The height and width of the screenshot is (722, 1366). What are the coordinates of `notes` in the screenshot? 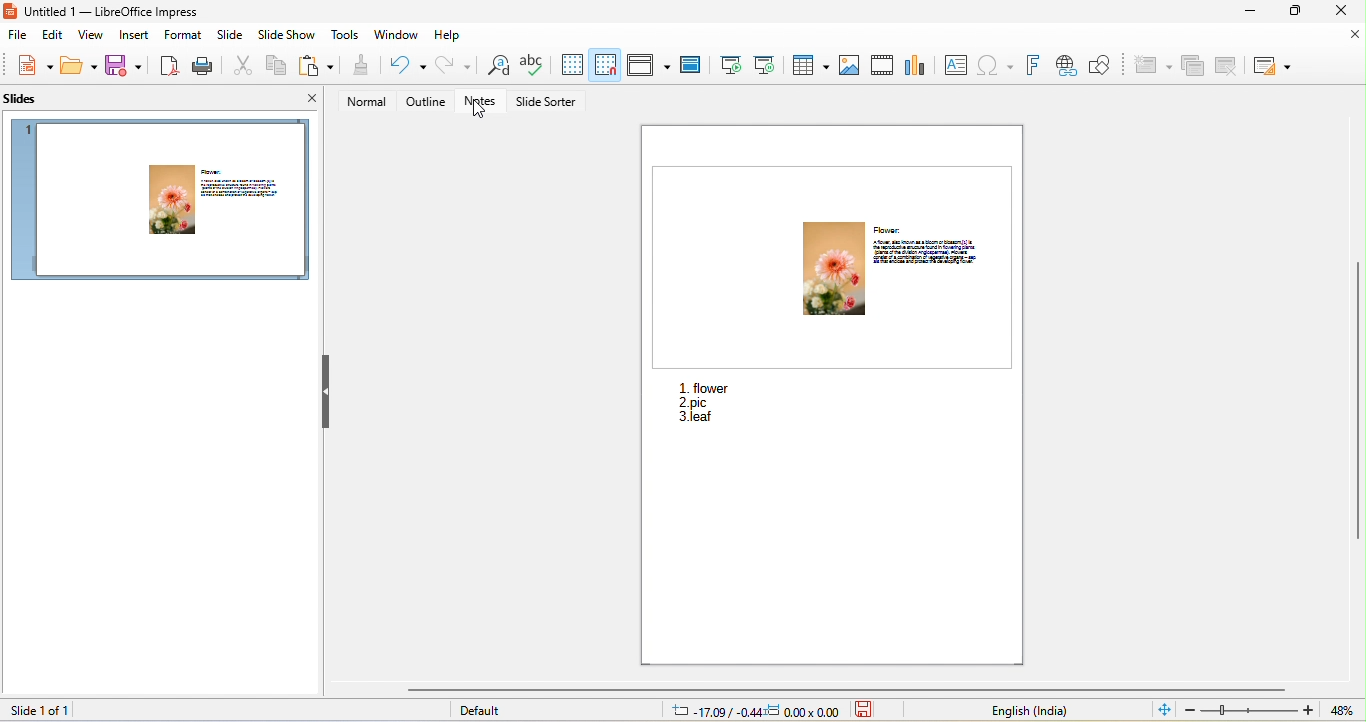 It's located at (481, 102).